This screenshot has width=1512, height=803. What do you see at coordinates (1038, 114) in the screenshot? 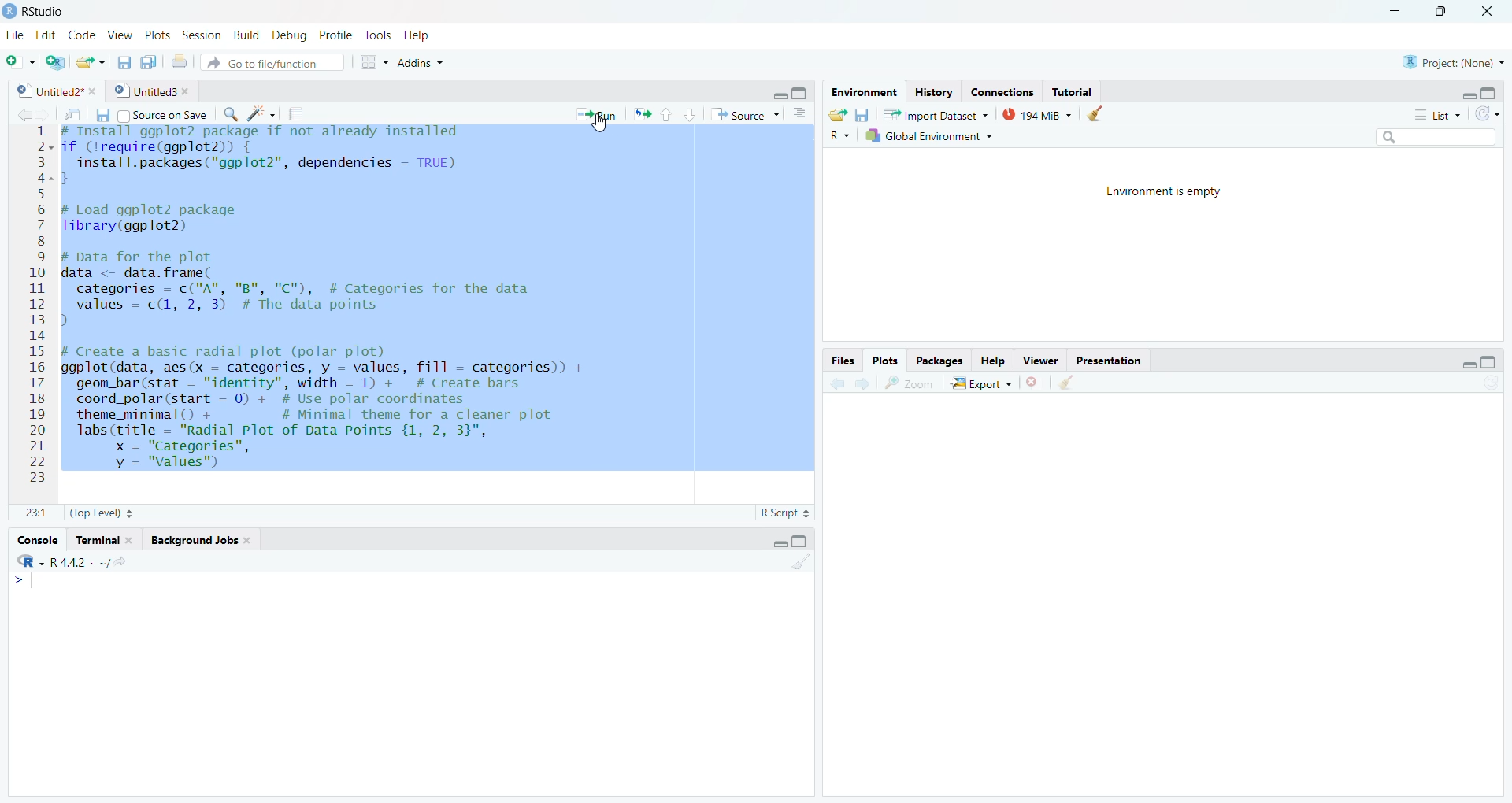
I see `194 MiB` at bounding box center [1038, 114].